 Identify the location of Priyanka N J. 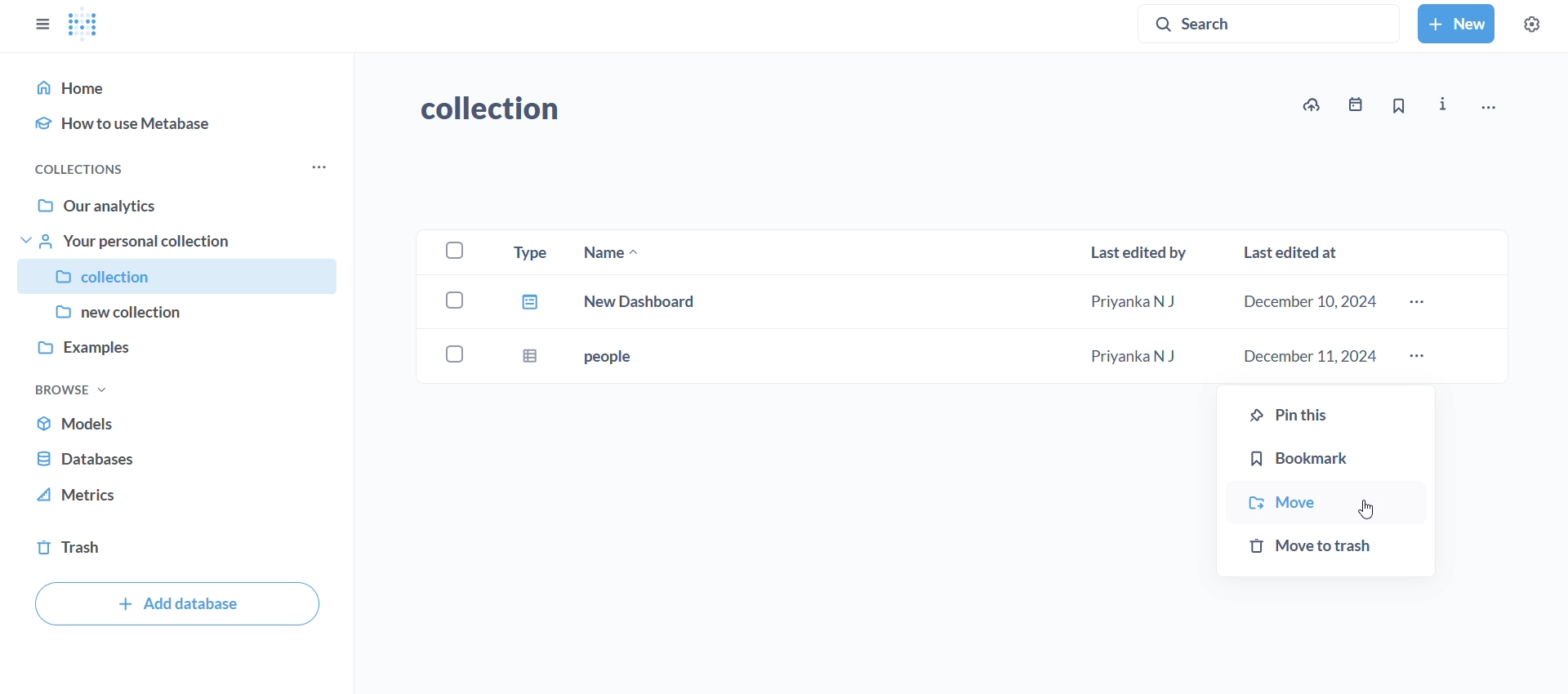
(1134, 355).